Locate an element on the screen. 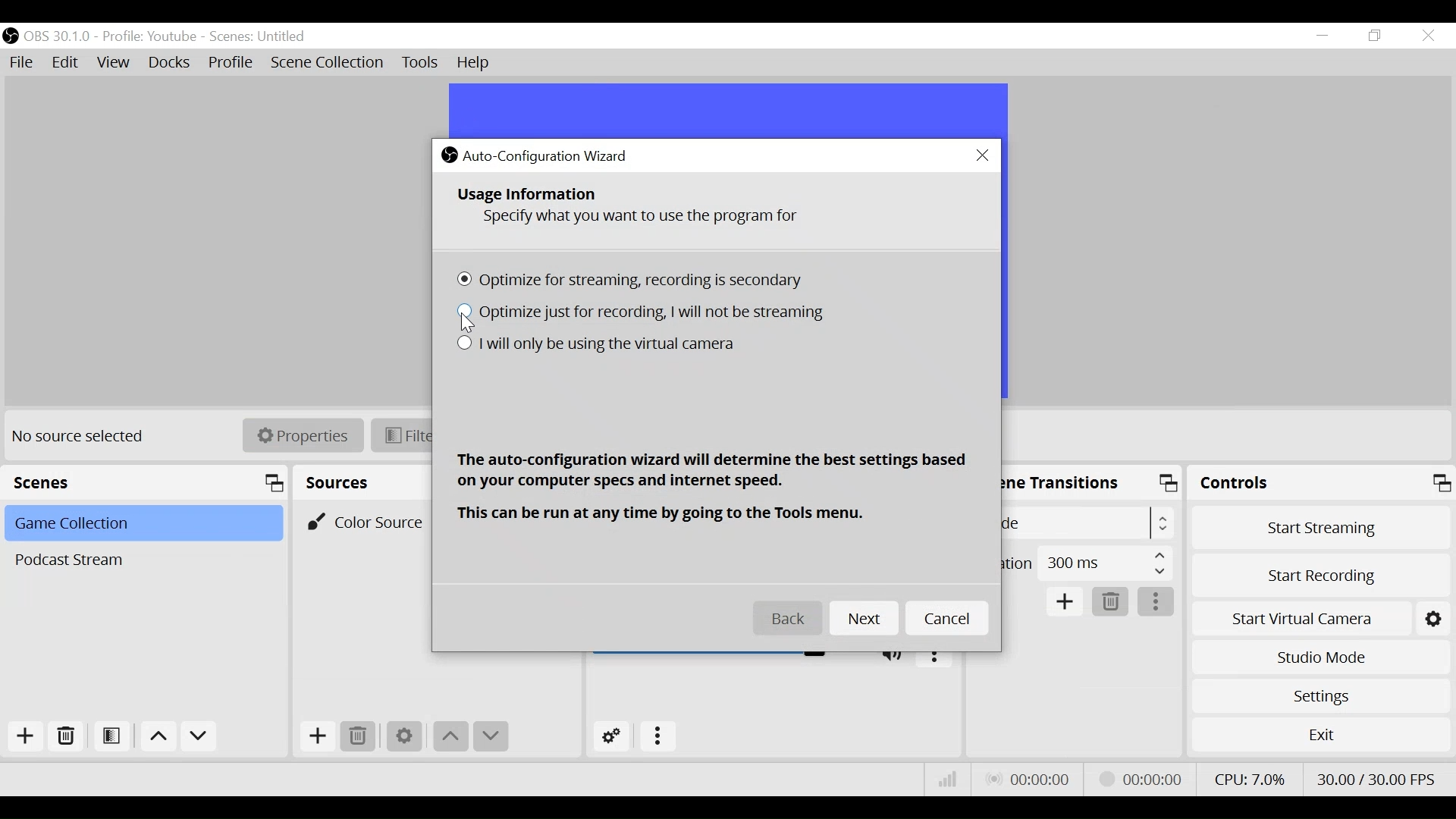  Add  is located at coordinates (318, 738).